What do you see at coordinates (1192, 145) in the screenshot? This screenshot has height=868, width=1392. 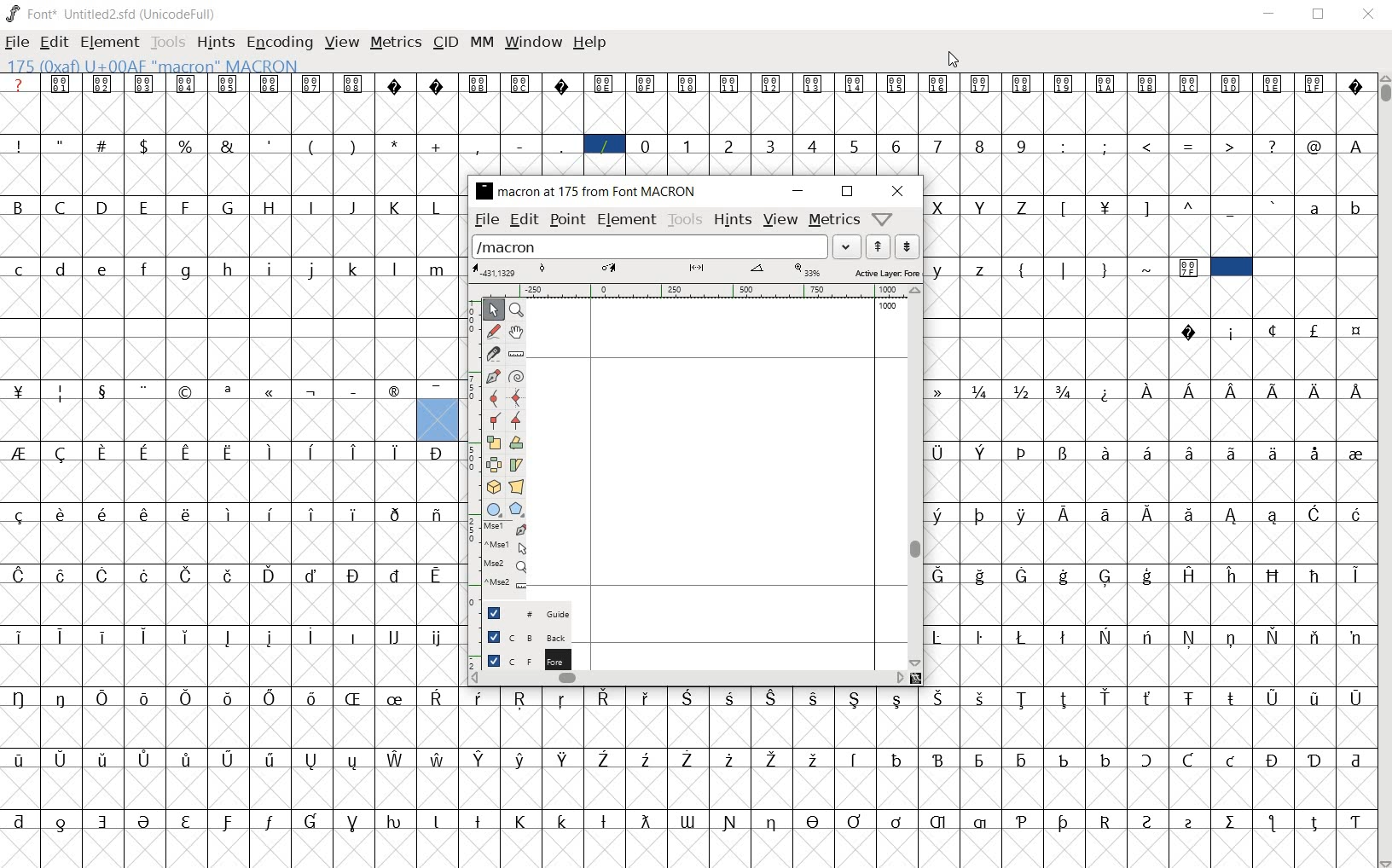 I see `=` at bounding box center [1192, 145].